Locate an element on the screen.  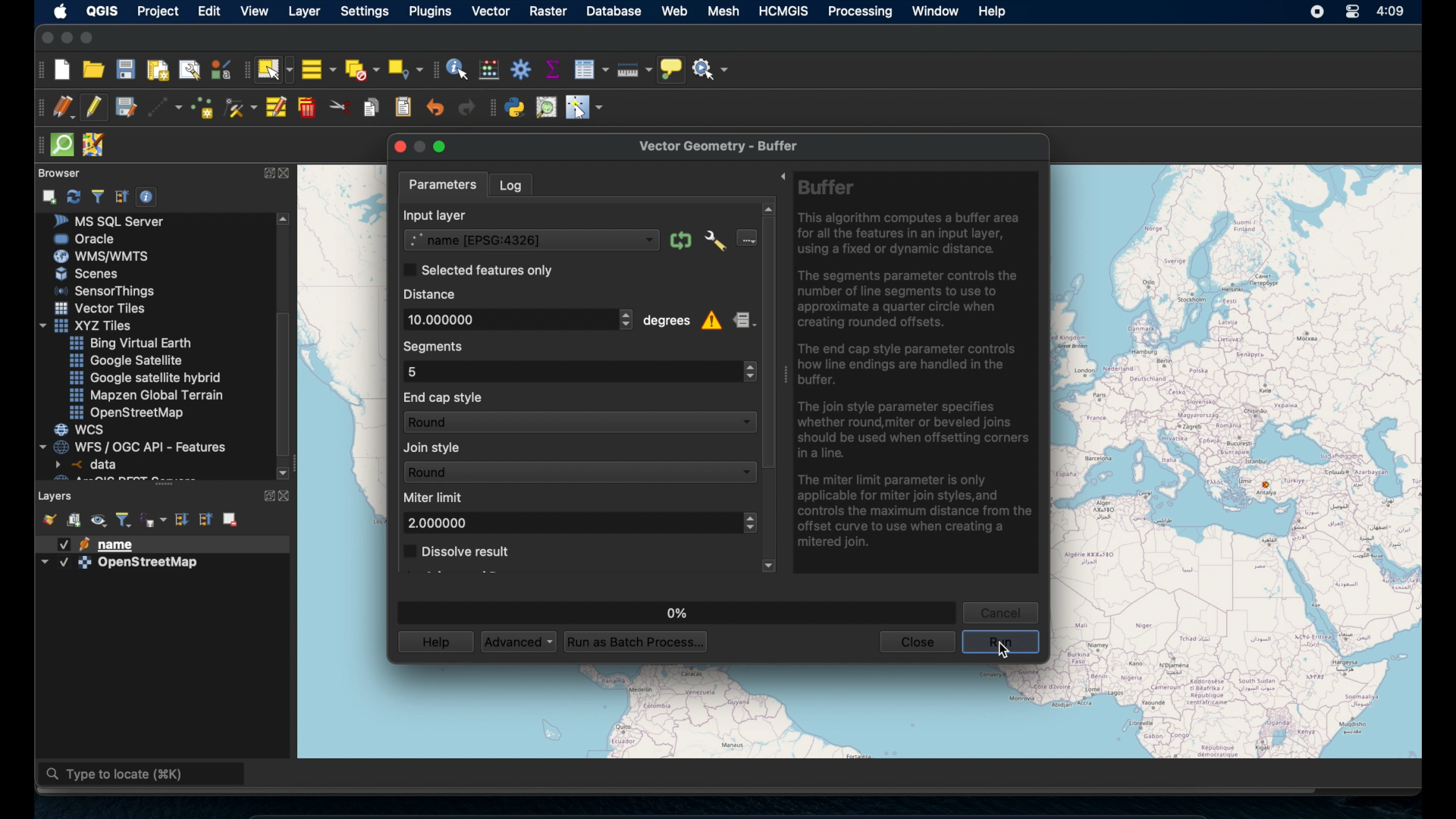
scroll down arrow is located at coordinates (767, 566).